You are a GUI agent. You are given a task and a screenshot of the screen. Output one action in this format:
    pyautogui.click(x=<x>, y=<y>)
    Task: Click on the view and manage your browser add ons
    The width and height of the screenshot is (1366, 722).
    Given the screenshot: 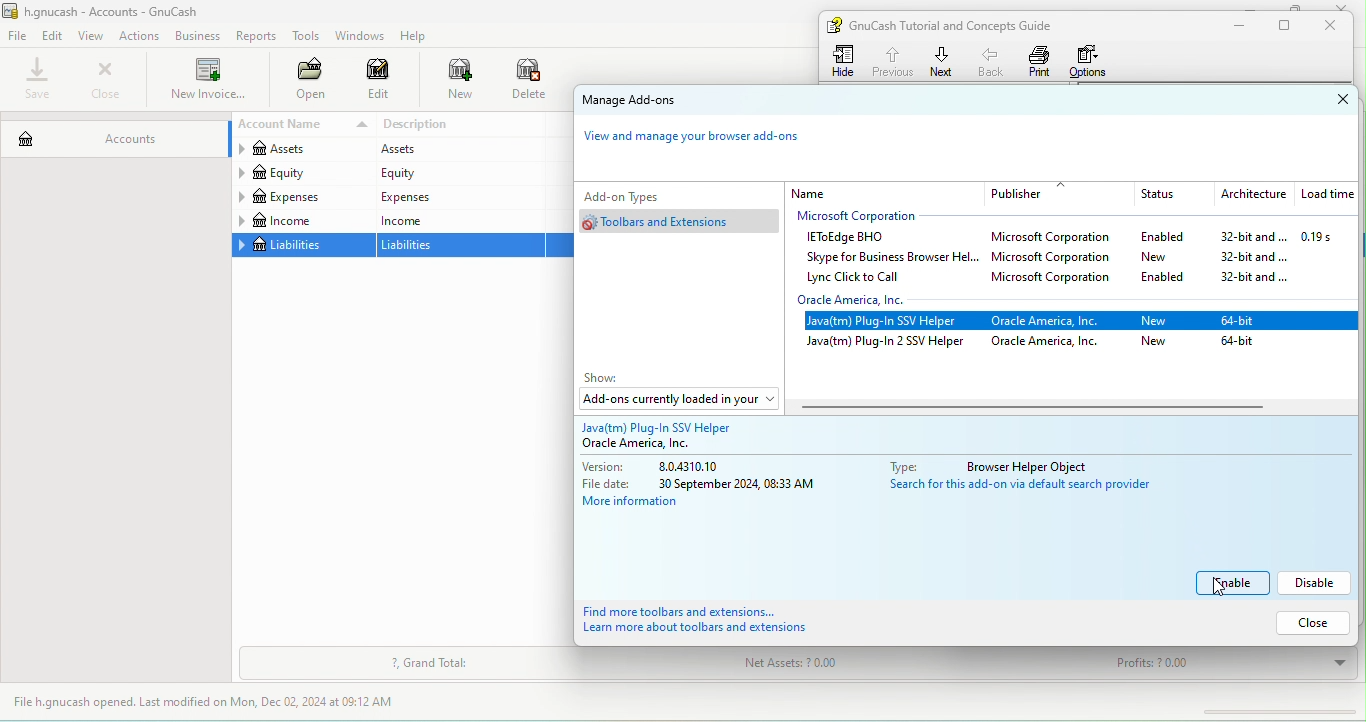 What is the action you would take?
    pyautogui.click(x=702, y=141)
    